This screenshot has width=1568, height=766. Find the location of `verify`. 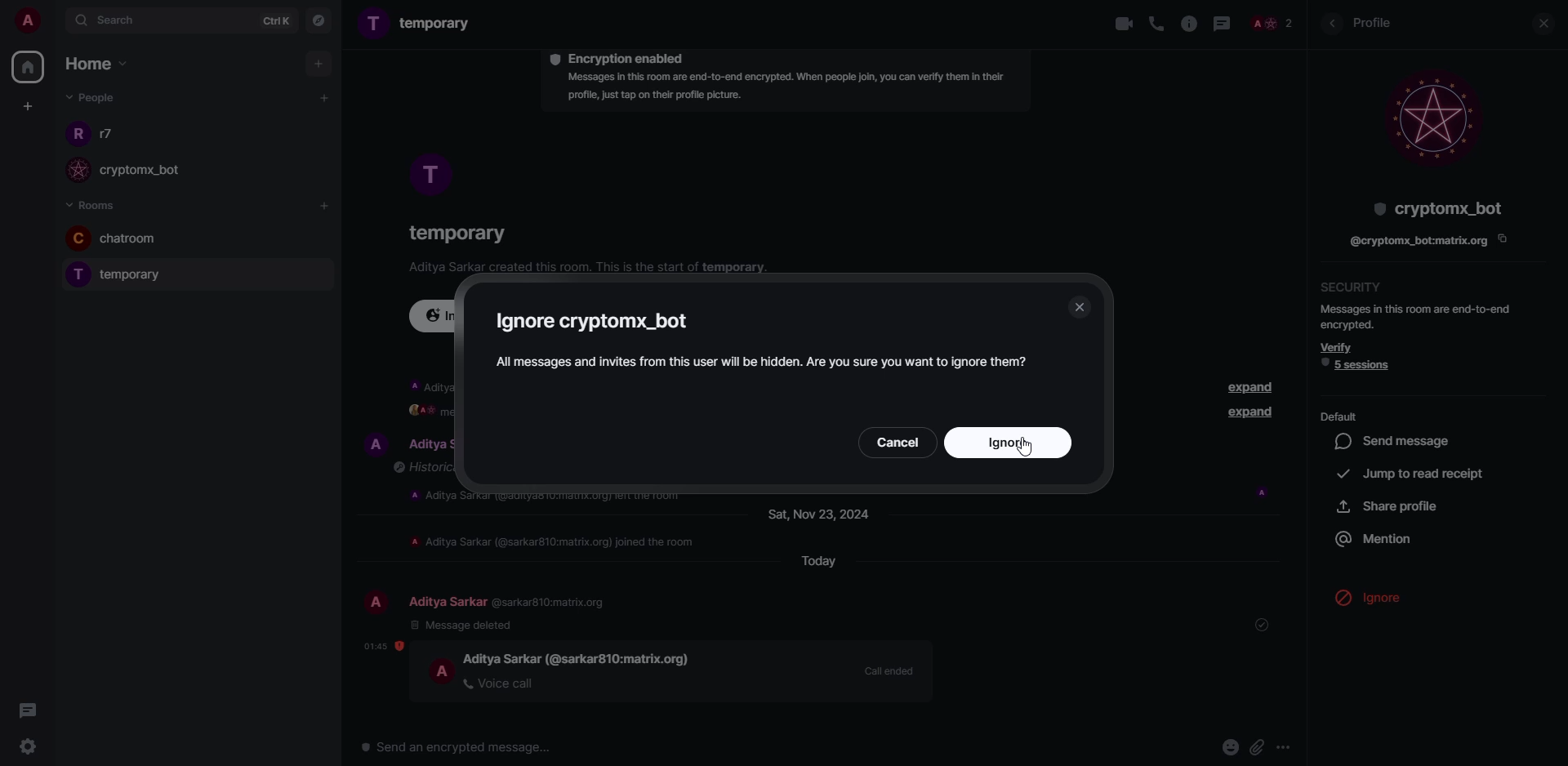

verify is located at coordinates (1337, 347).